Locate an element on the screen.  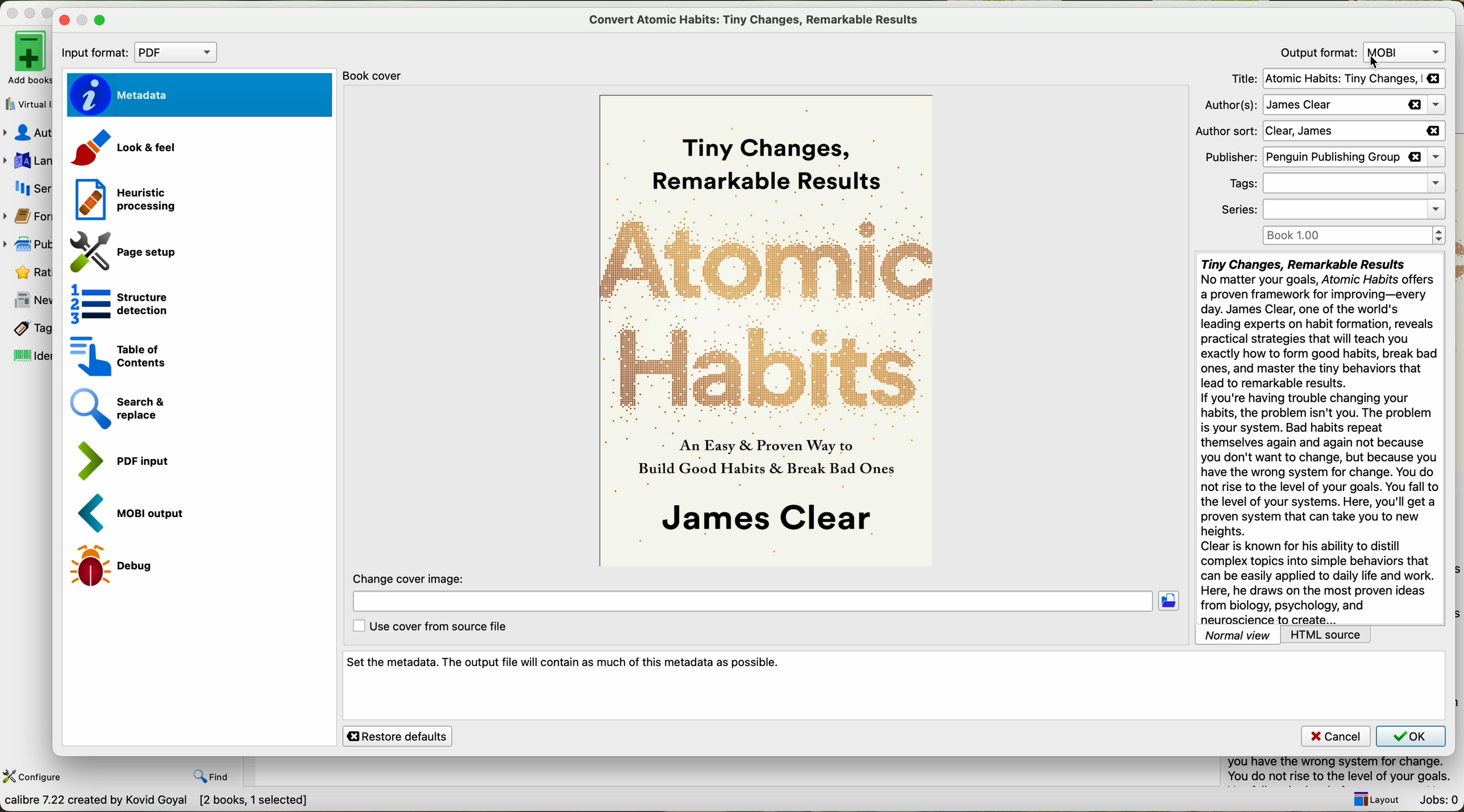
disable minimize window is located at coordinates (84, 20).